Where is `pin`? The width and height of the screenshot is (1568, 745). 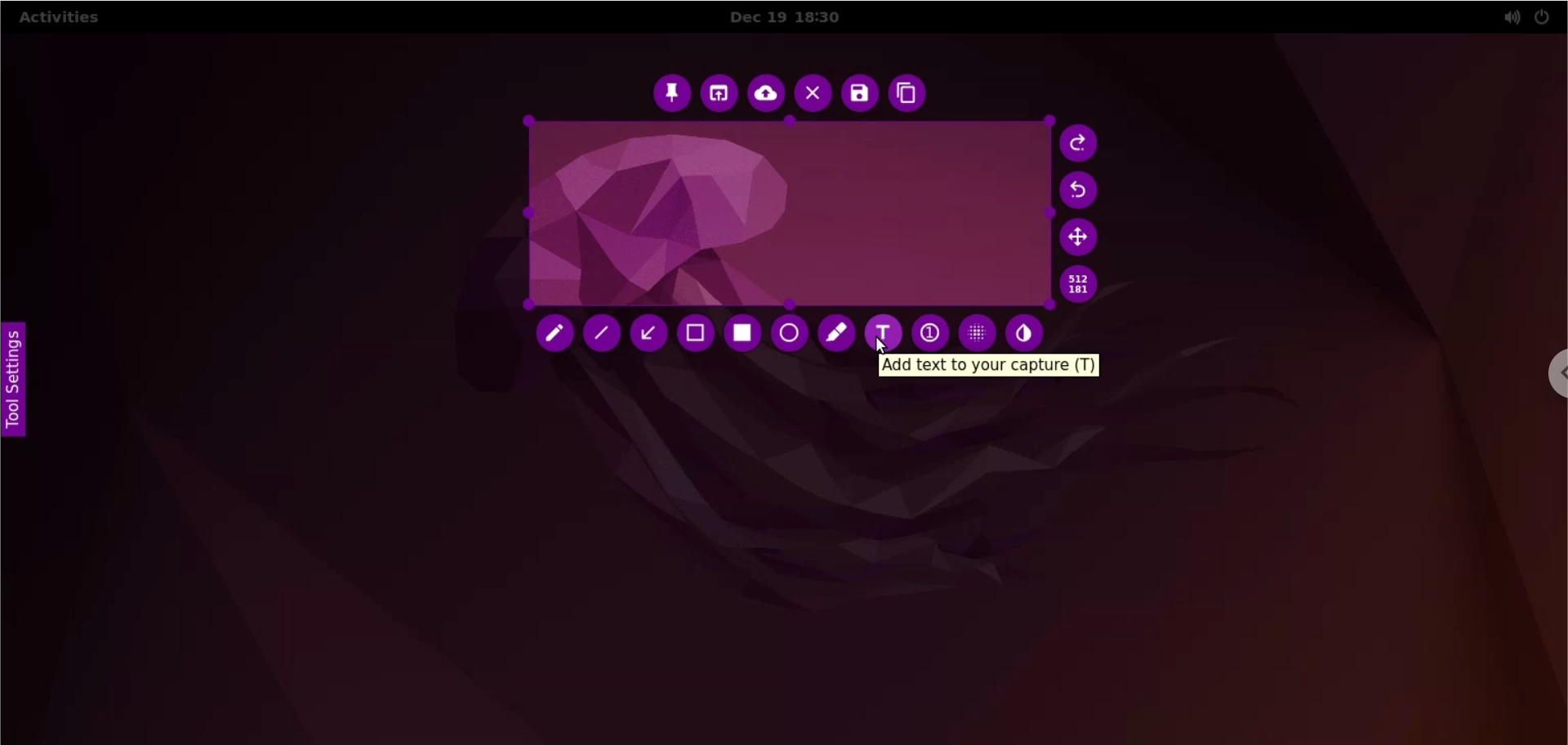 pin is located at coordinates (674, 95).